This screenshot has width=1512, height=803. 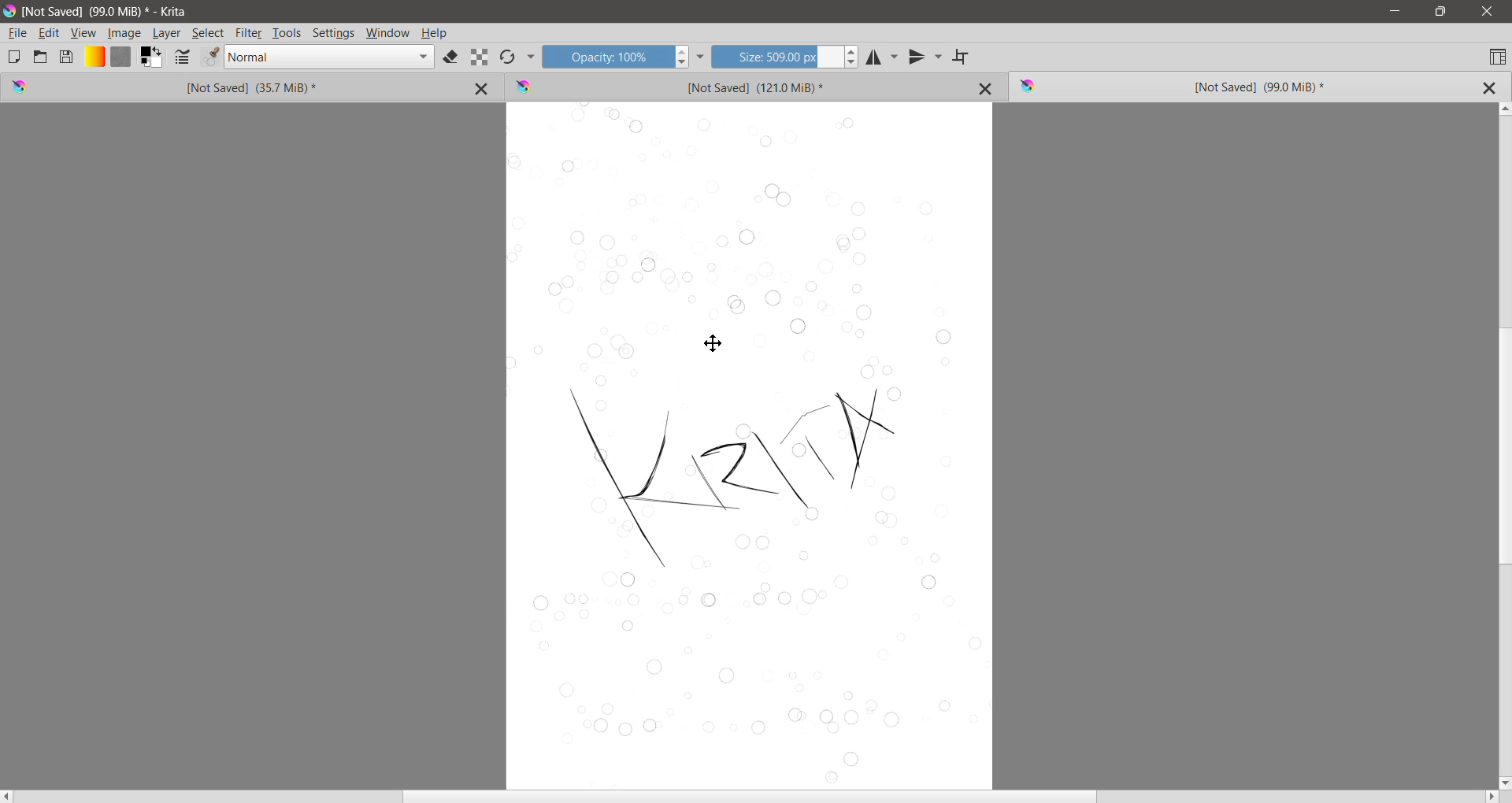 What do you see at coordinates (986, 88) in the screenshot?
I see `Close Tab` at bounding box center [986, 88].